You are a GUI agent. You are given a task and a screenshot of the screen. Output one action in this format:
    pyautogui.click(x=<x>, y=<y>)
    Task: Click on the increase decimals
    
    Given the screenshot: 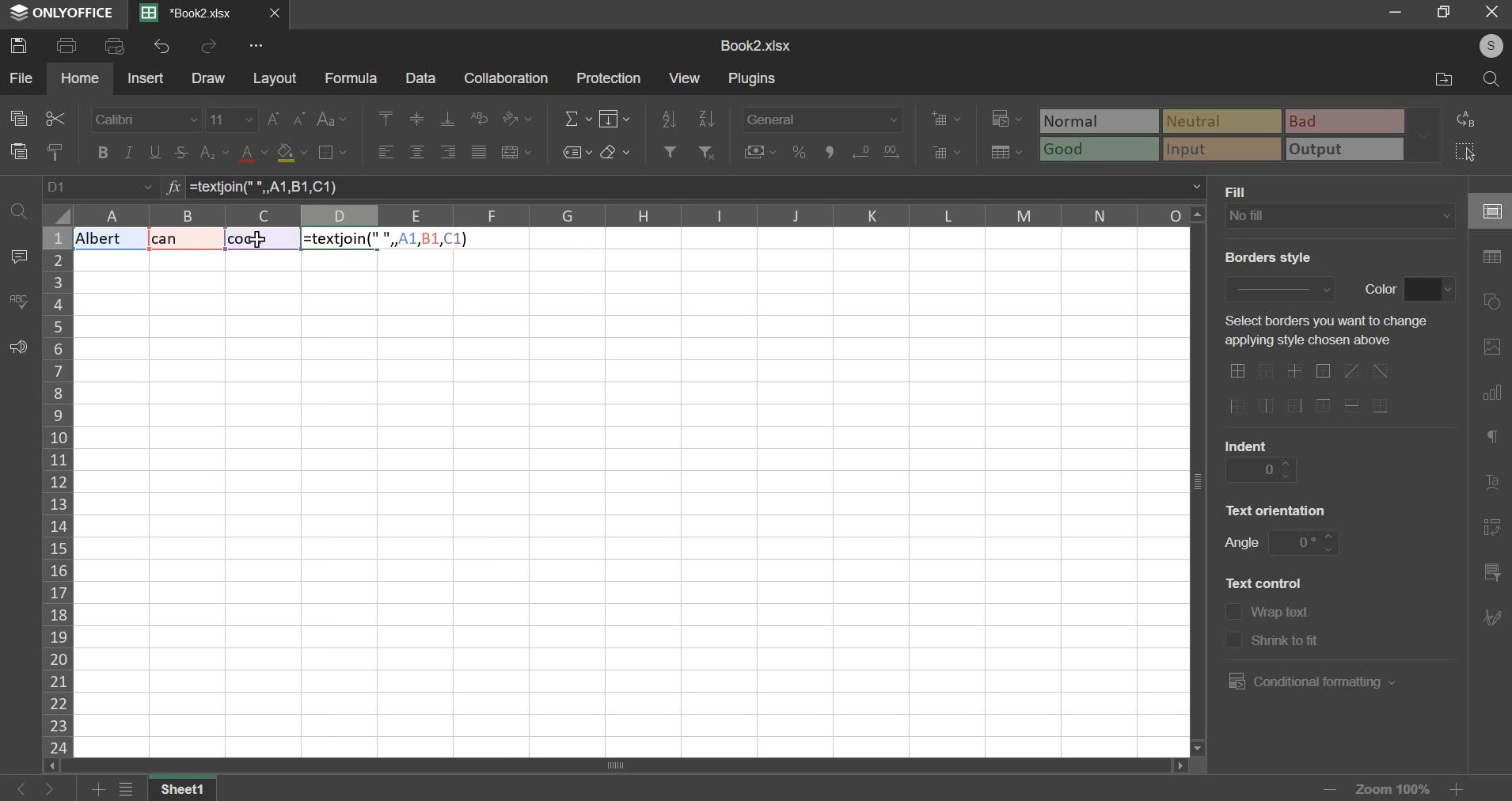 What is the action you would take?
    pyautogui.click(x=861, y=150)
    